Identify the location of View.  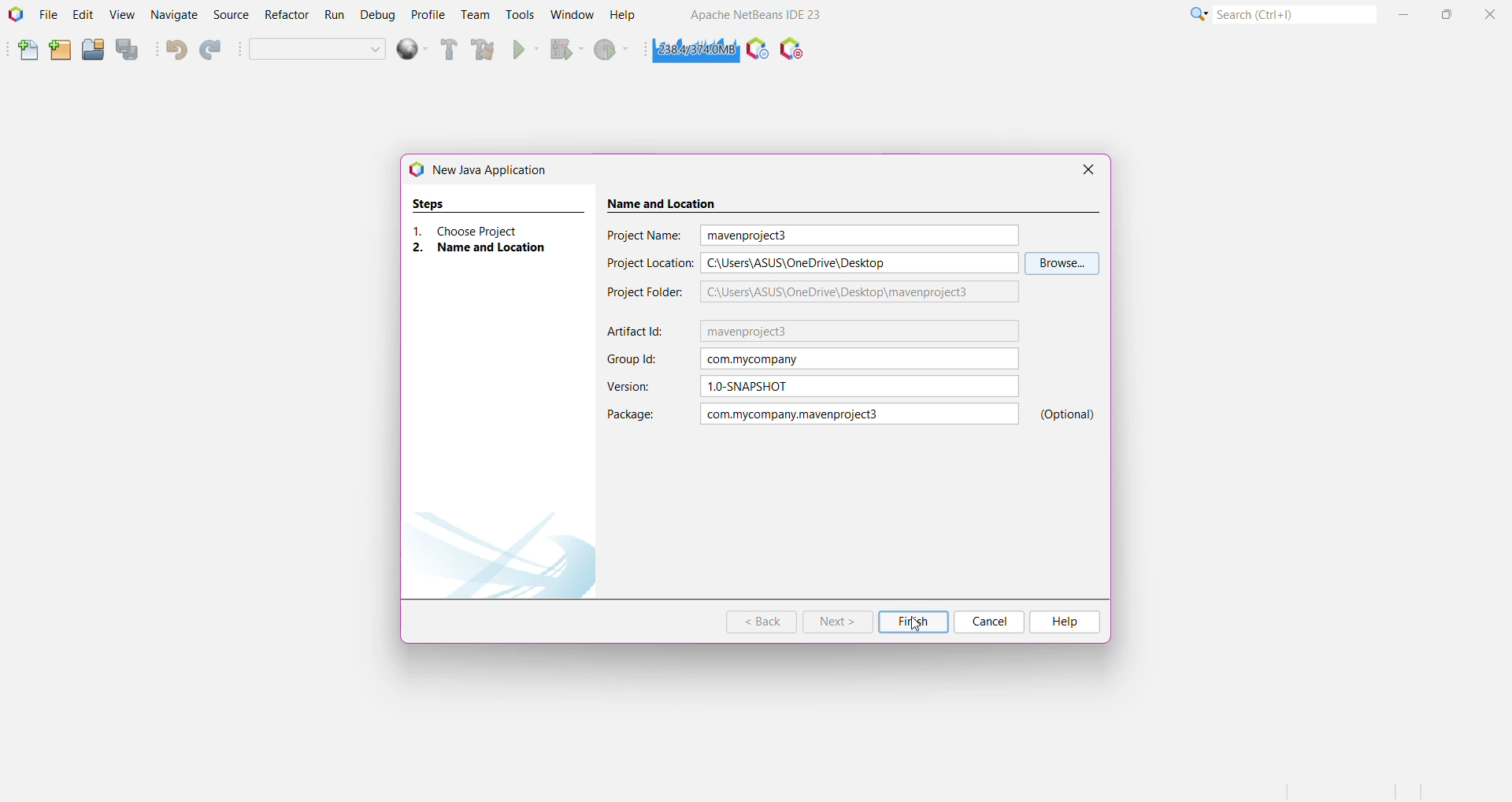
(122, 17).